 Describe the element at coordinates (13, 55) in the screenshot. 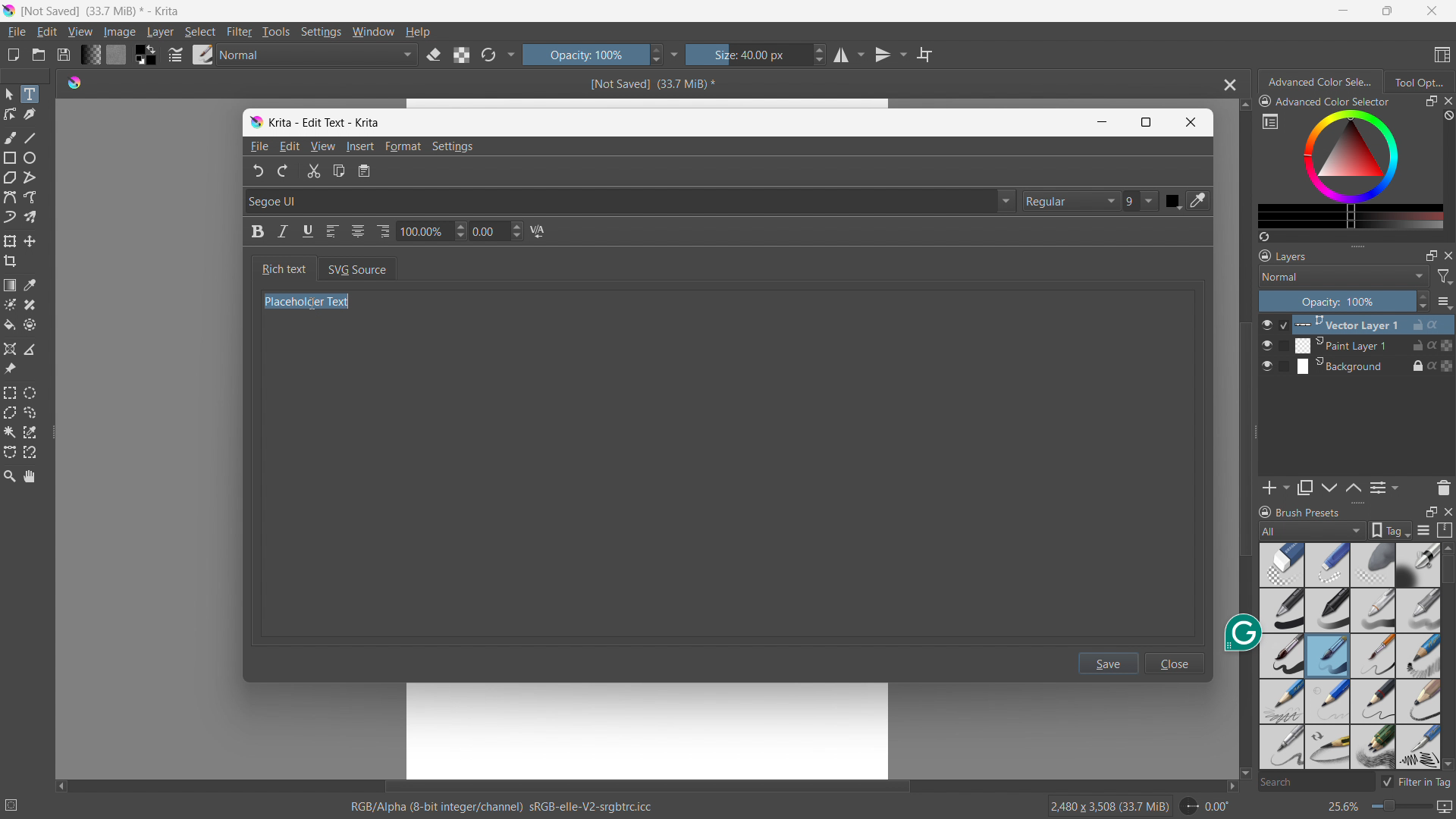

I see `new` at that location.